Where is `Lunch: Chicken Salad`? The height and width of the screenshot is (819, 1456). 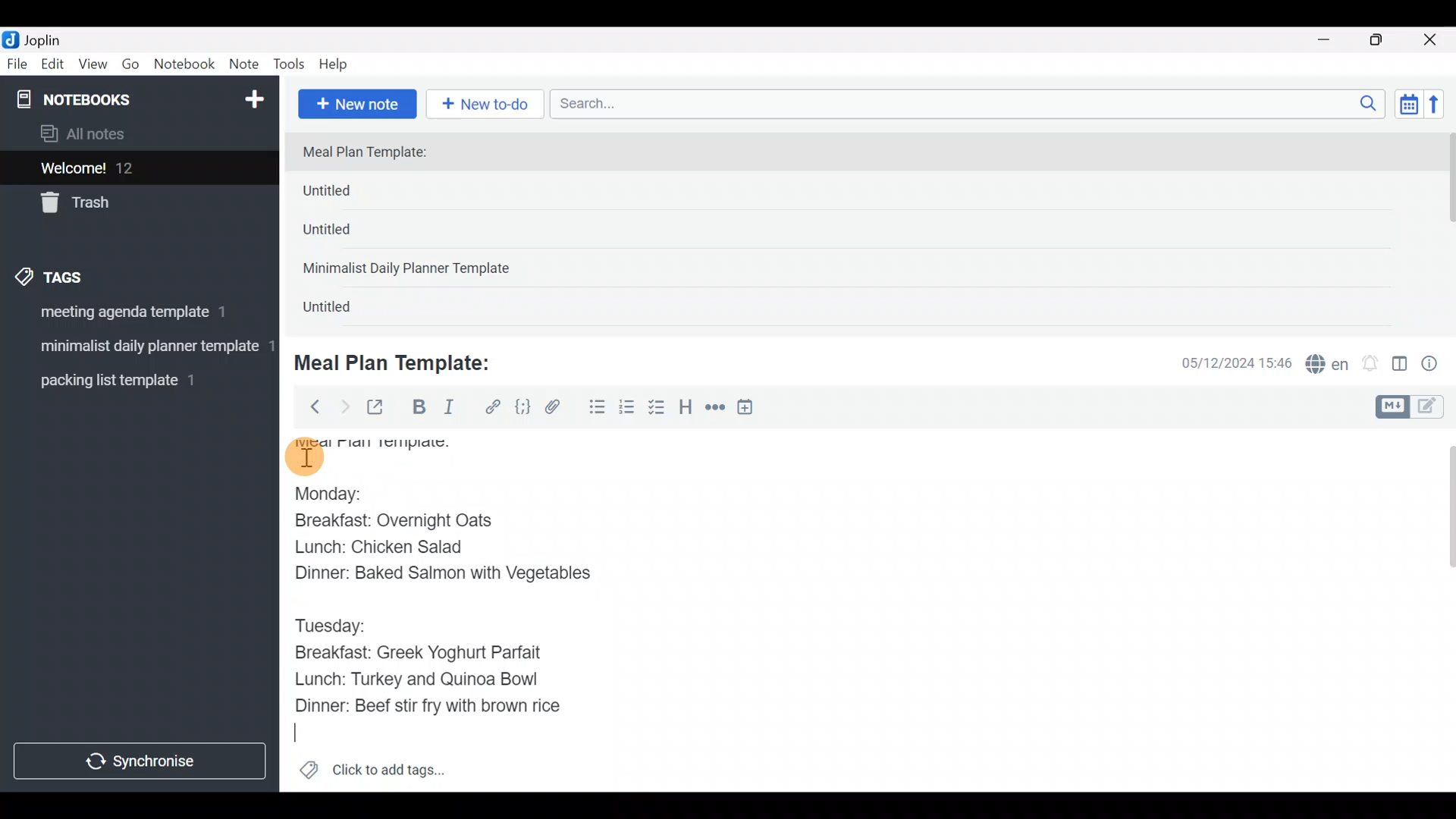 Lunch: Chicken Salad is located at coordinates (380, 548).